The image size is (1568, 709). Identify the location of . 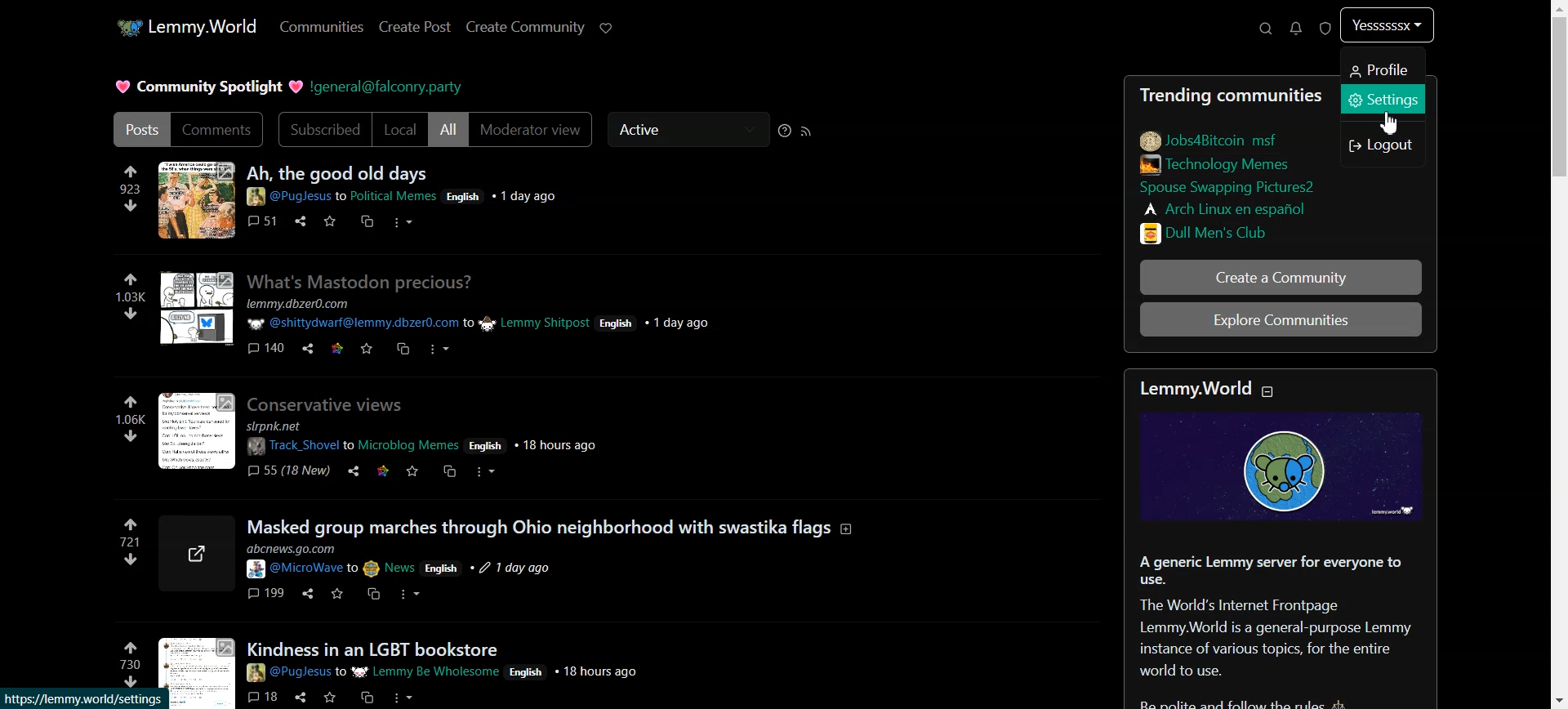
(333, 404).